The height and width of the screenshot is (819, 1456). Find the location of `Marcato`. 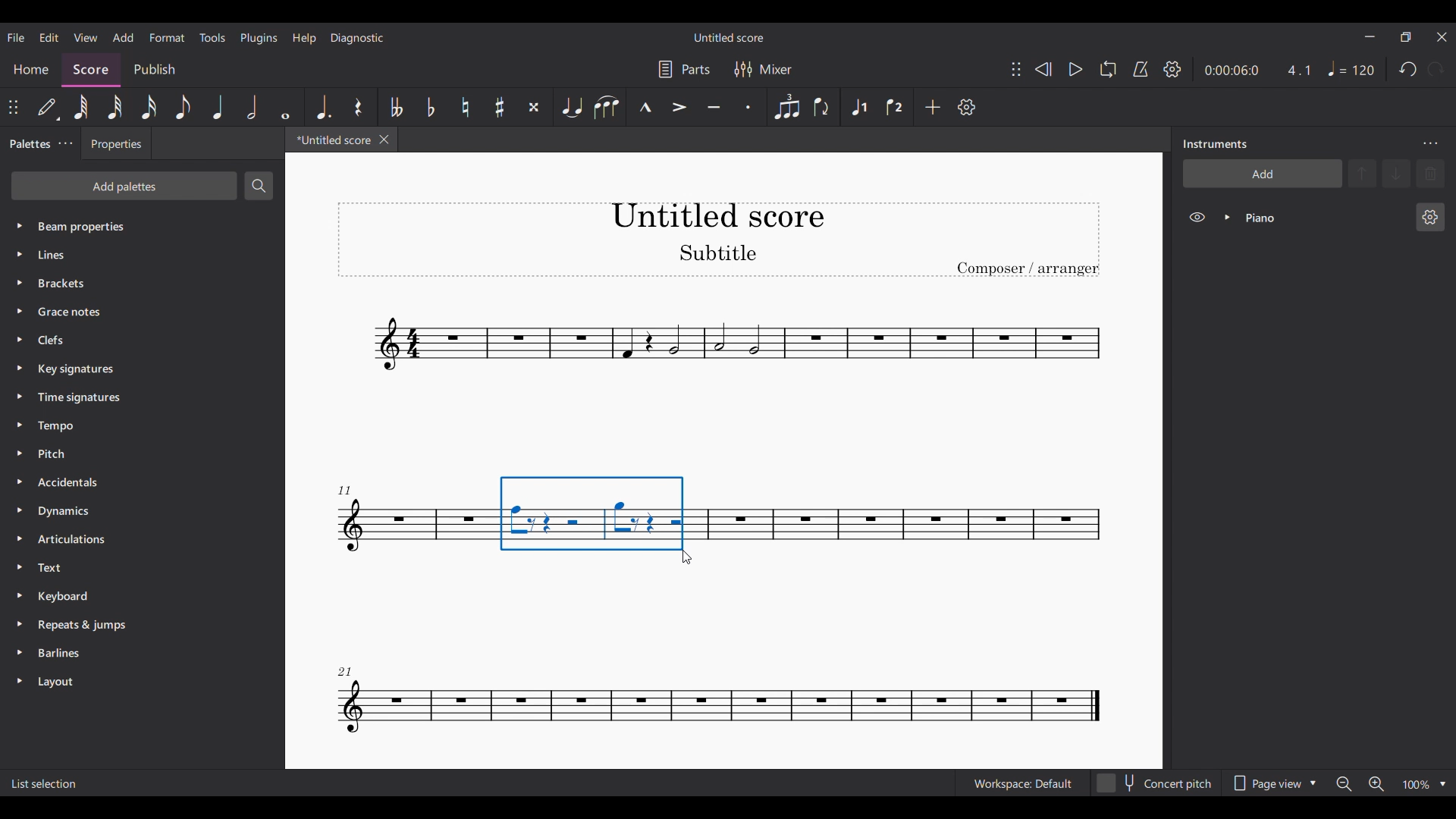

Marcato is located at coordinates (645, 107).